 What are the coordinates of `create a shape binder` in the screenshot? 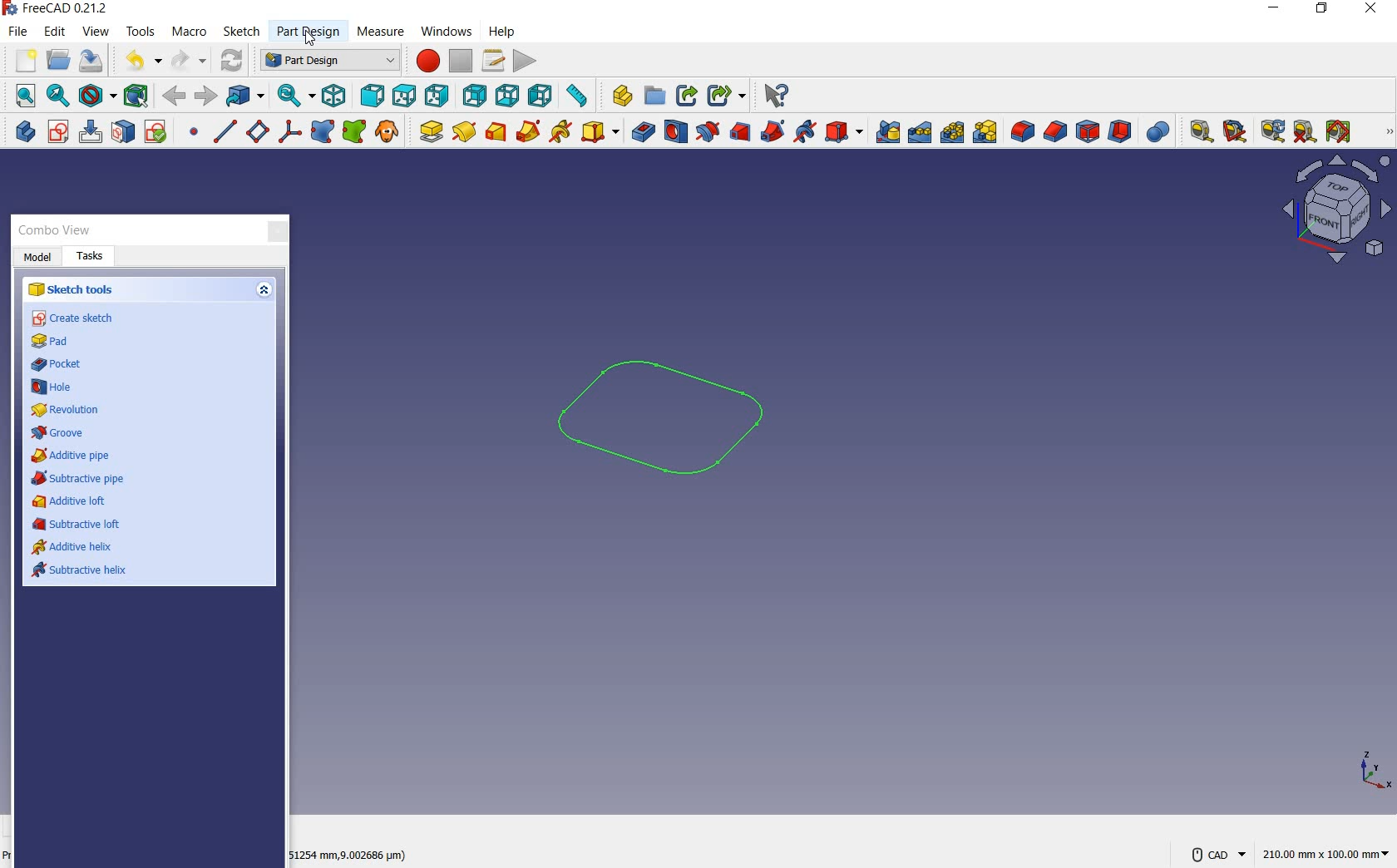 It's located at (323, 132).